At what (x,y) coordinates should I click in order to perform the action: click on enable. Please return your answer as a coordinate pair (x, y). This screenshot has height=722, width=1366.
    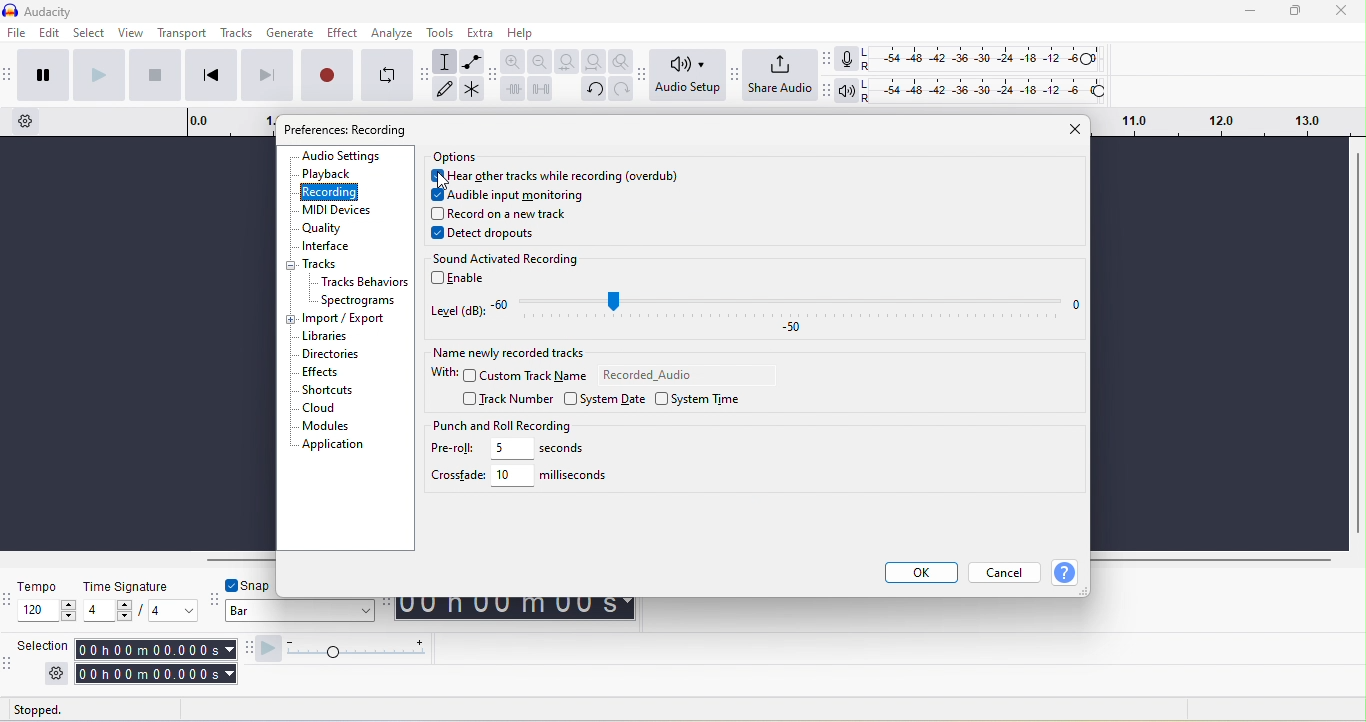
    Looking at the image, I should click on (459, 279).